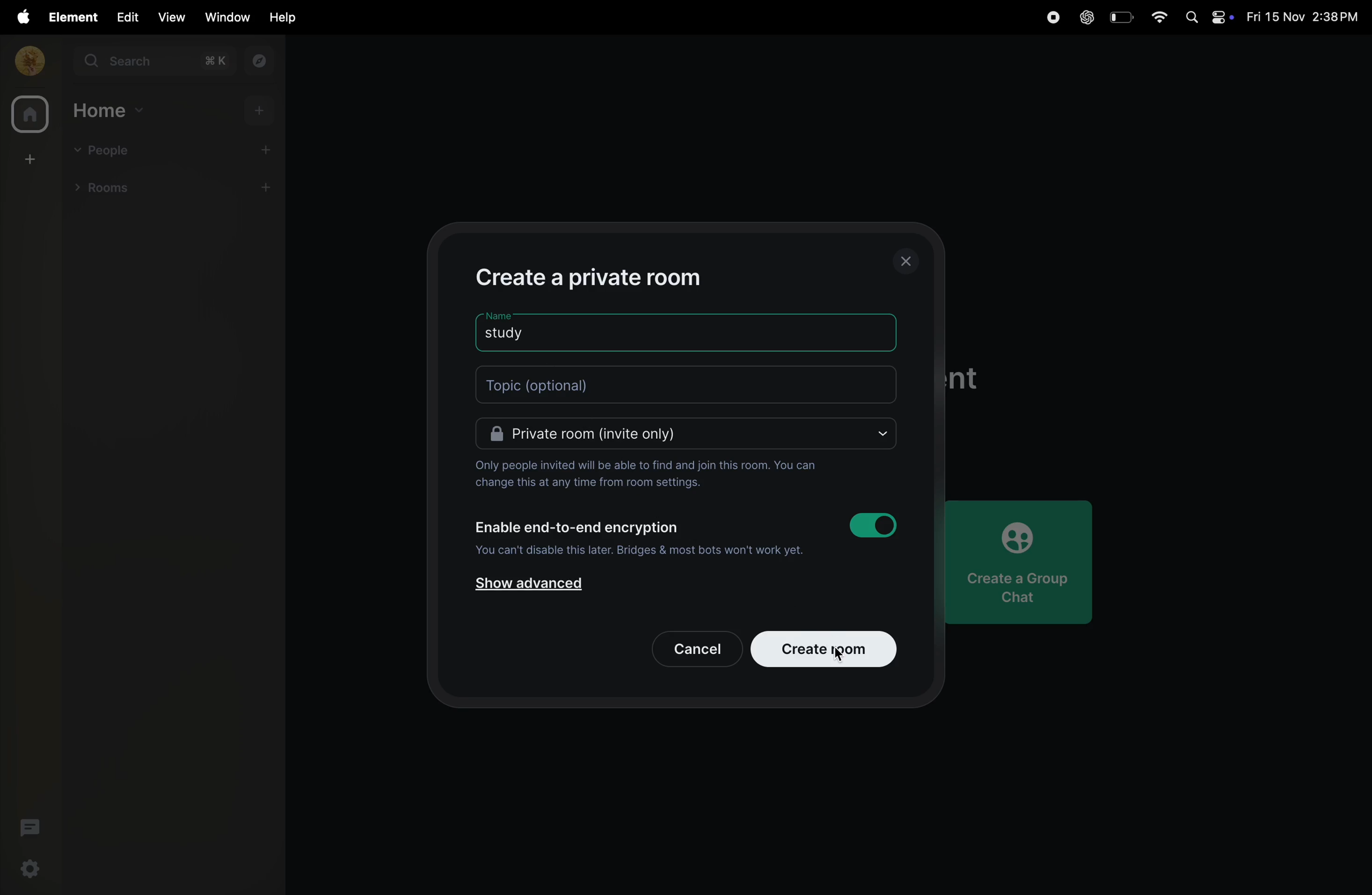 This screenshot has width=1372, height=895. Describe the element at coordinates (170, 17) in the screenshot. I see `view` at that location.